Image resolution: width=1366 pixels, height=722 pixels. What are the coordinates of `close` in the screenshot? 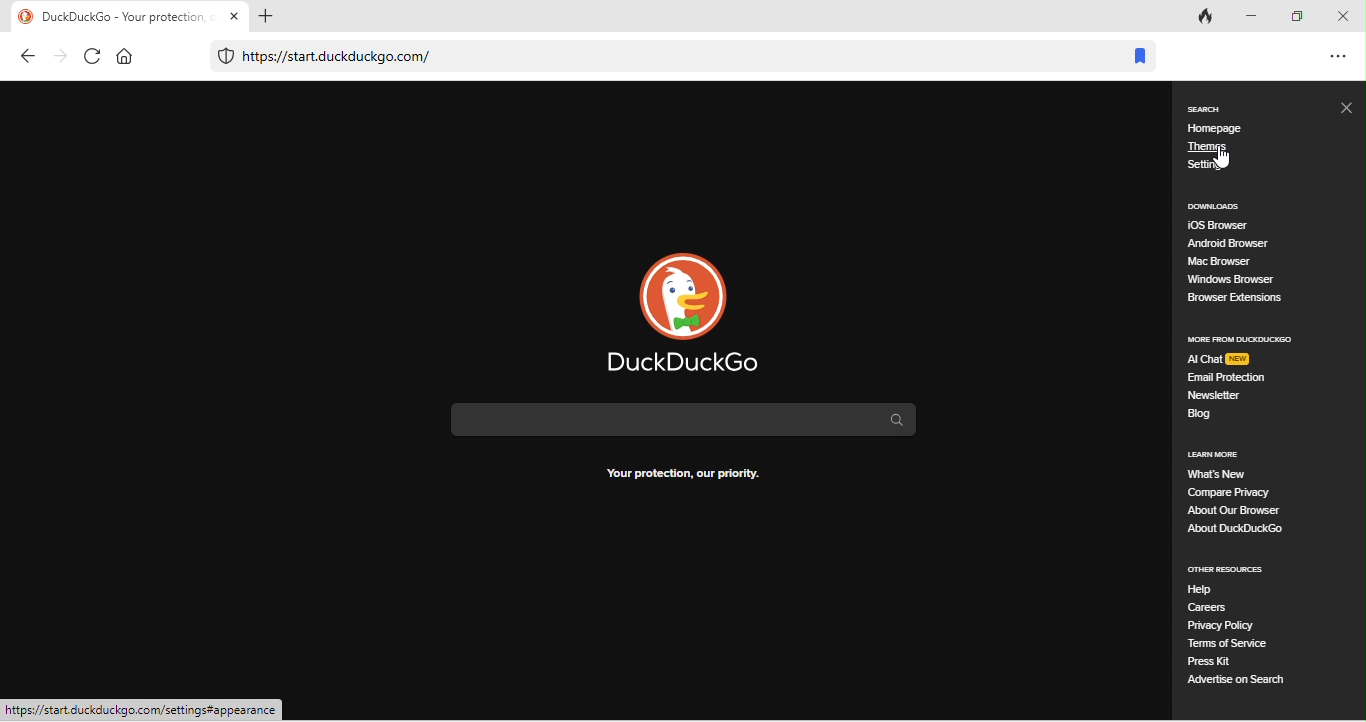 It's located at (1346, 16).